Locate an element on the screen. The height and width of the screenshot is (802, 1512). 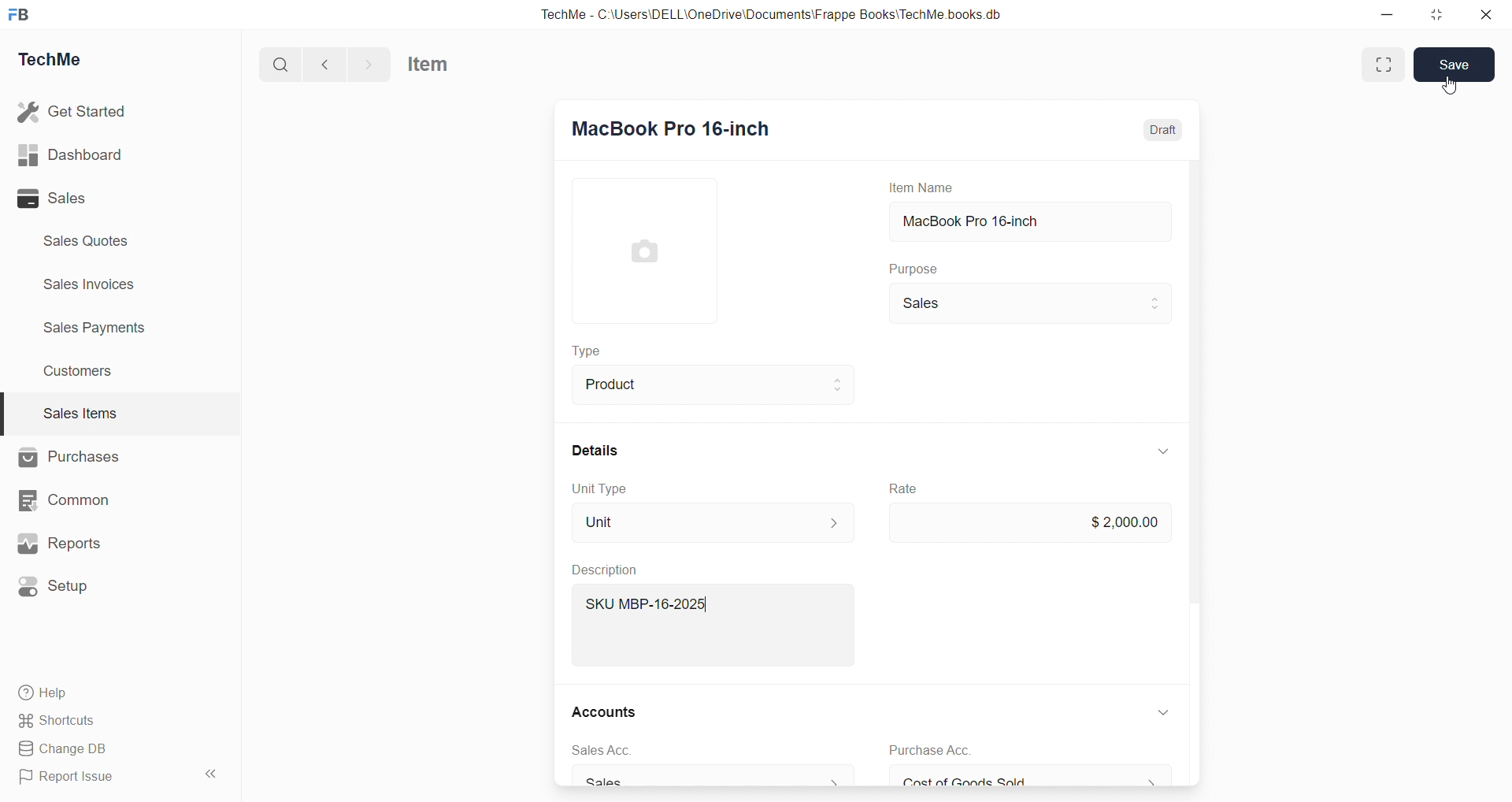
Product is located at coordinates (712, 385).